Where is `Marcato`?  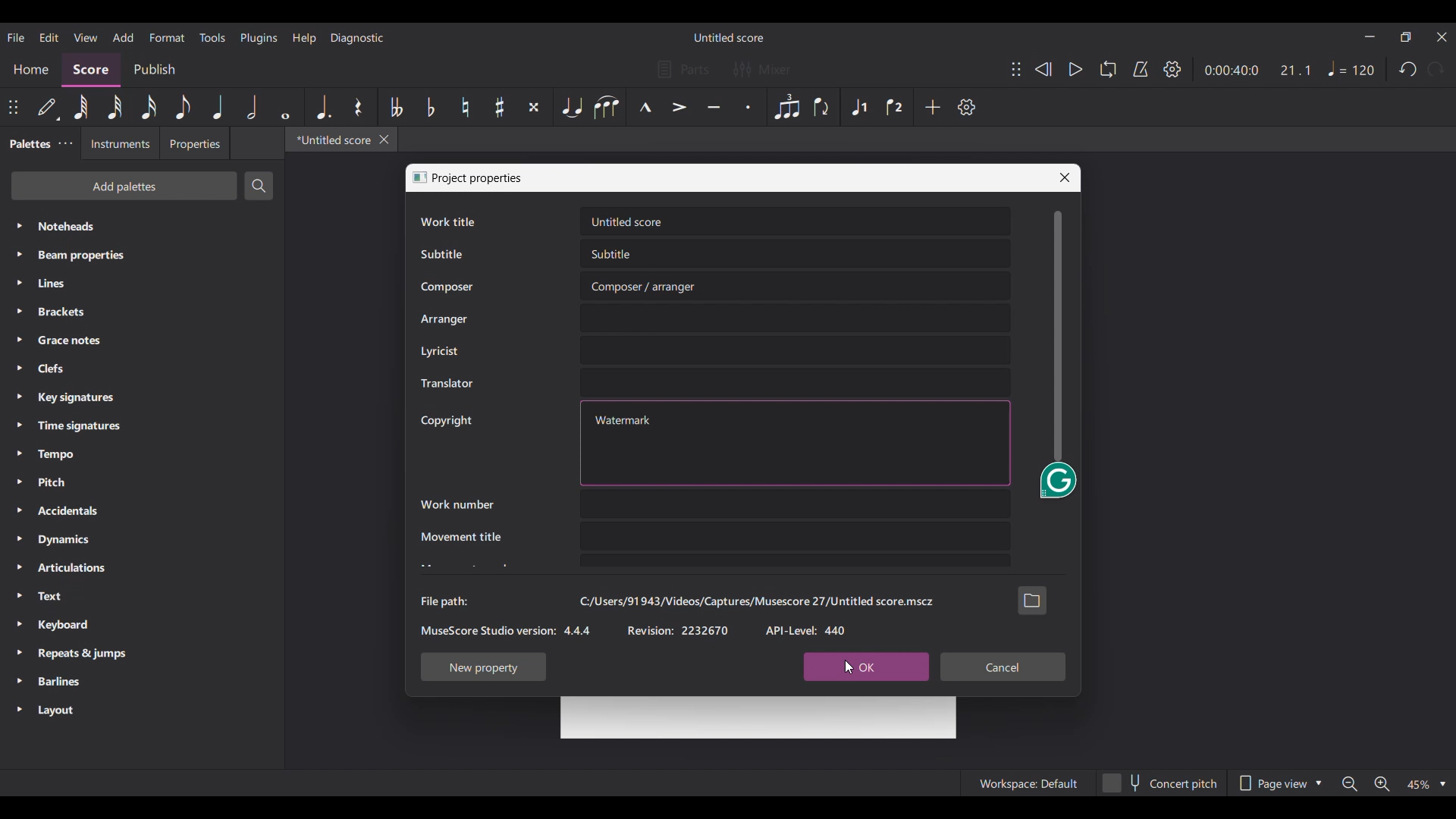 Marcato is located at coordinates (645, 107).